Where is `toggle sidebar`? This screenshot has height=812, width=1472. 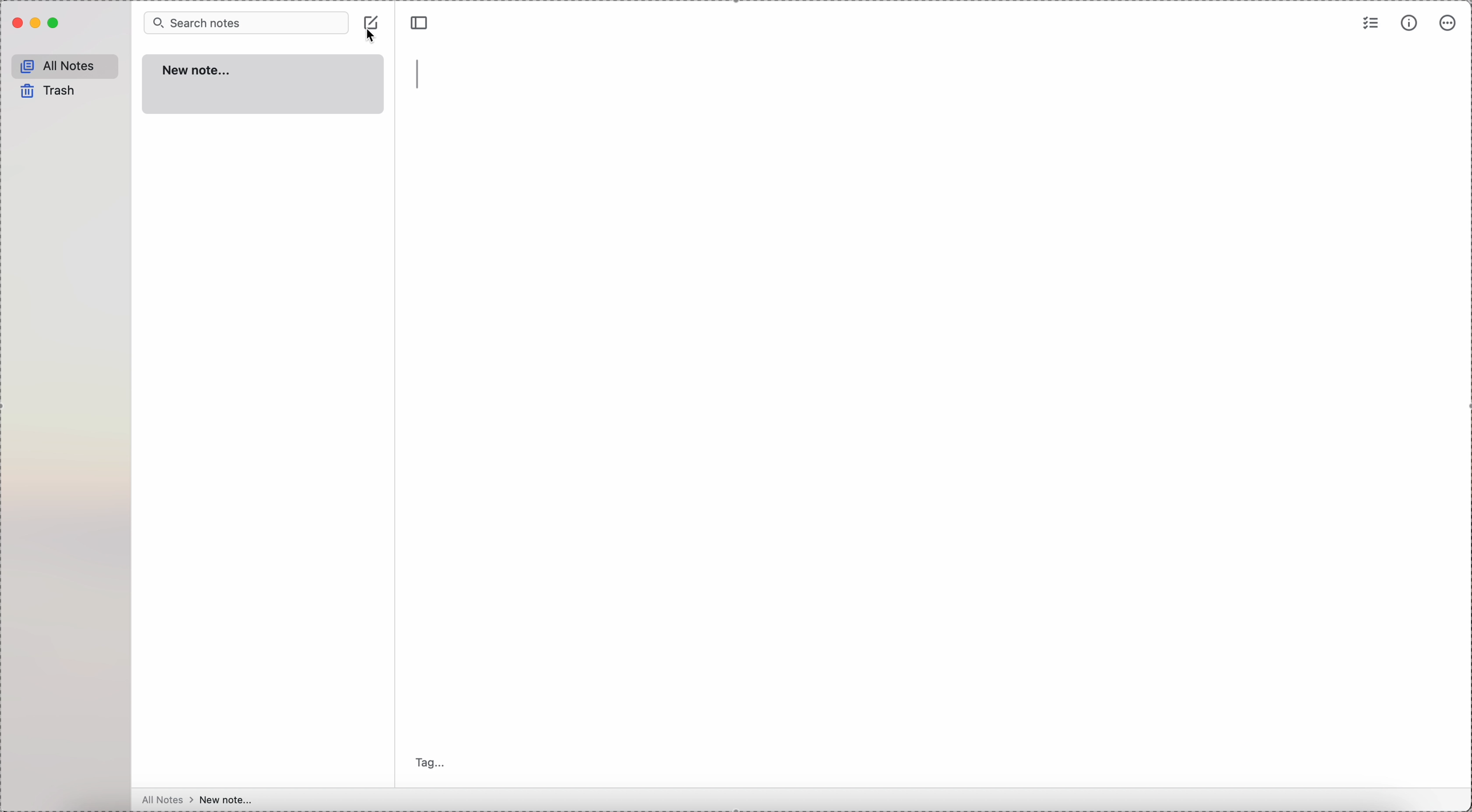
toggle sidebar is located at coordinates (419, 23).